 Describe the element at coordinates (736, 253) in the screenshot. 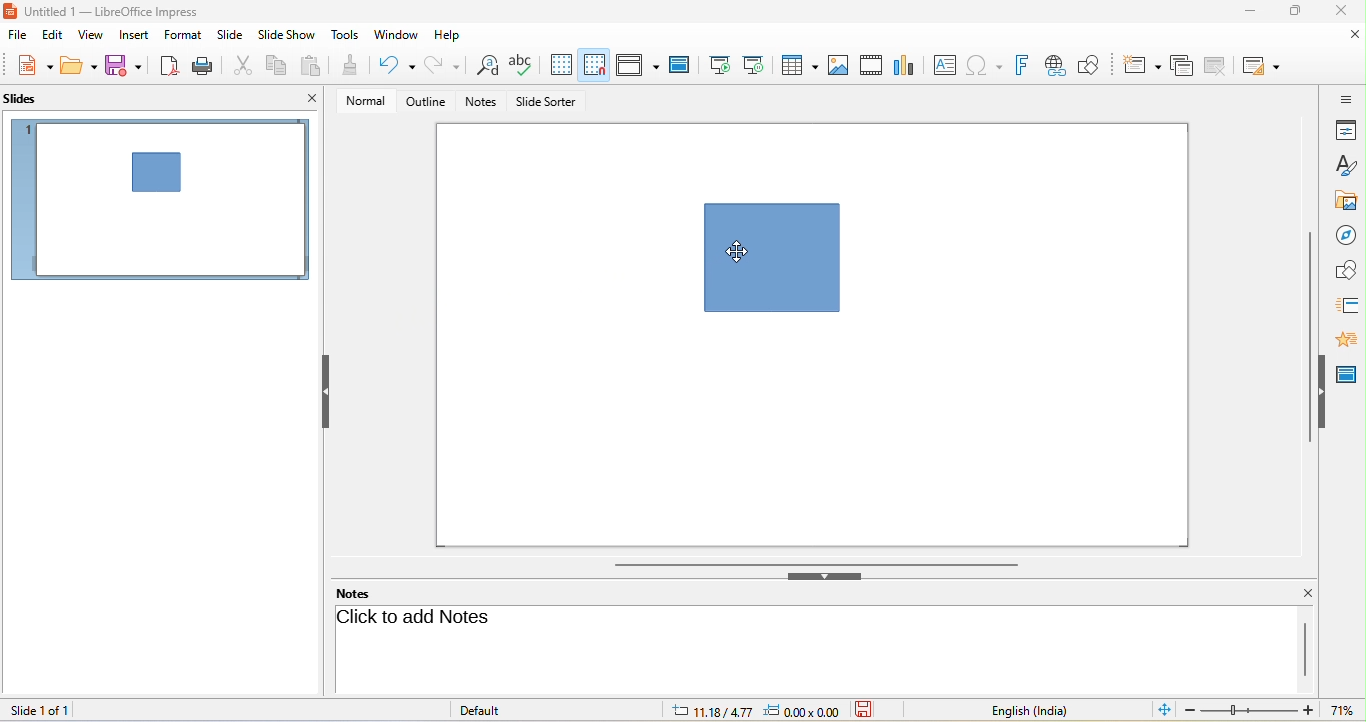

I see `cursor` at that location.